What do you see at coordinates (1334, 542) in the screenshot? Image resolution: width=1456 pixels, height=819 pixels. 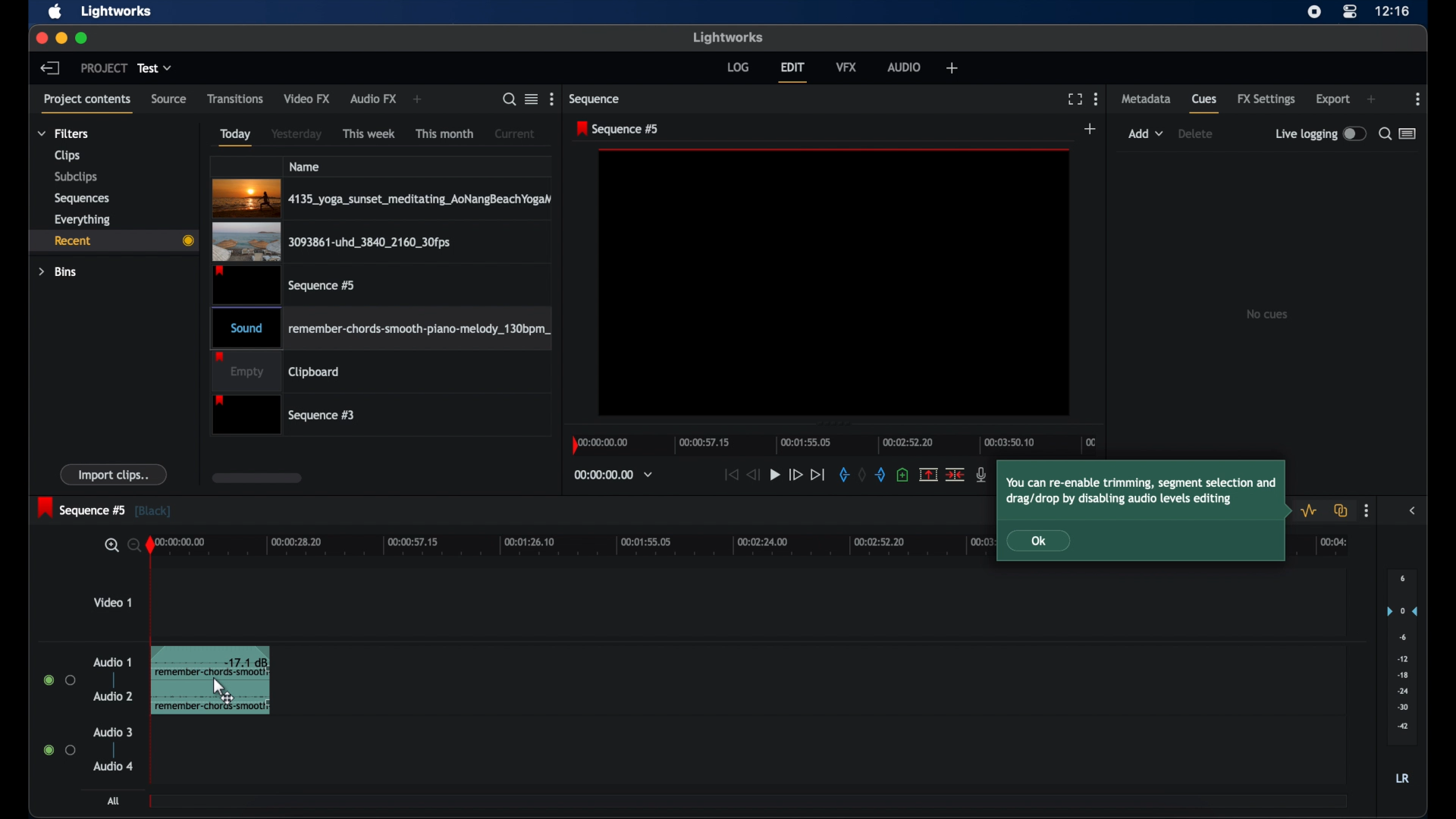 I see `00:04` at bounding box center [1334, 542].